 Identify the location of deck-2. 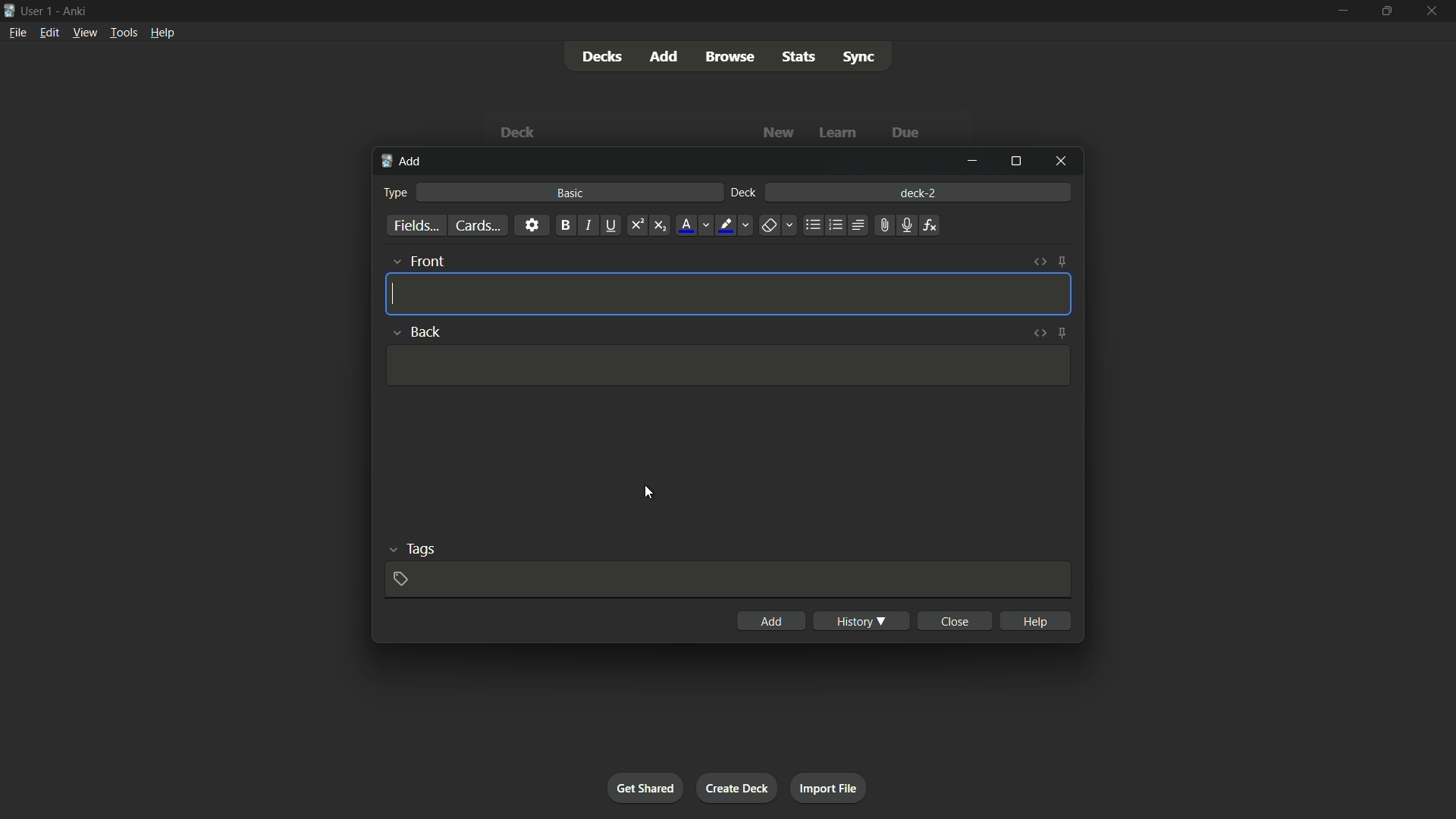
(918, 191).